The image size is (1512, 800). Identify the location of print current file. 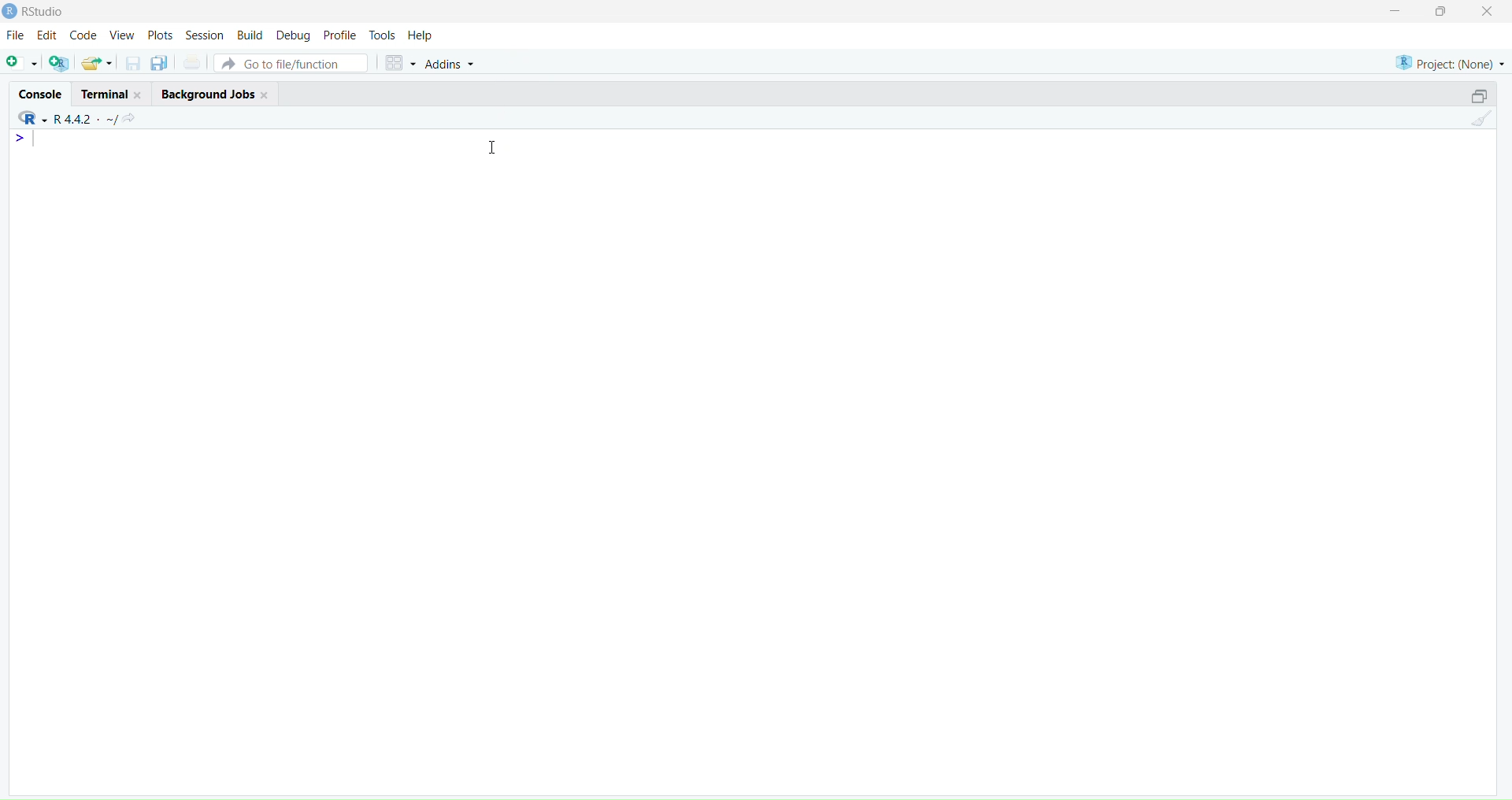
(192, 64).